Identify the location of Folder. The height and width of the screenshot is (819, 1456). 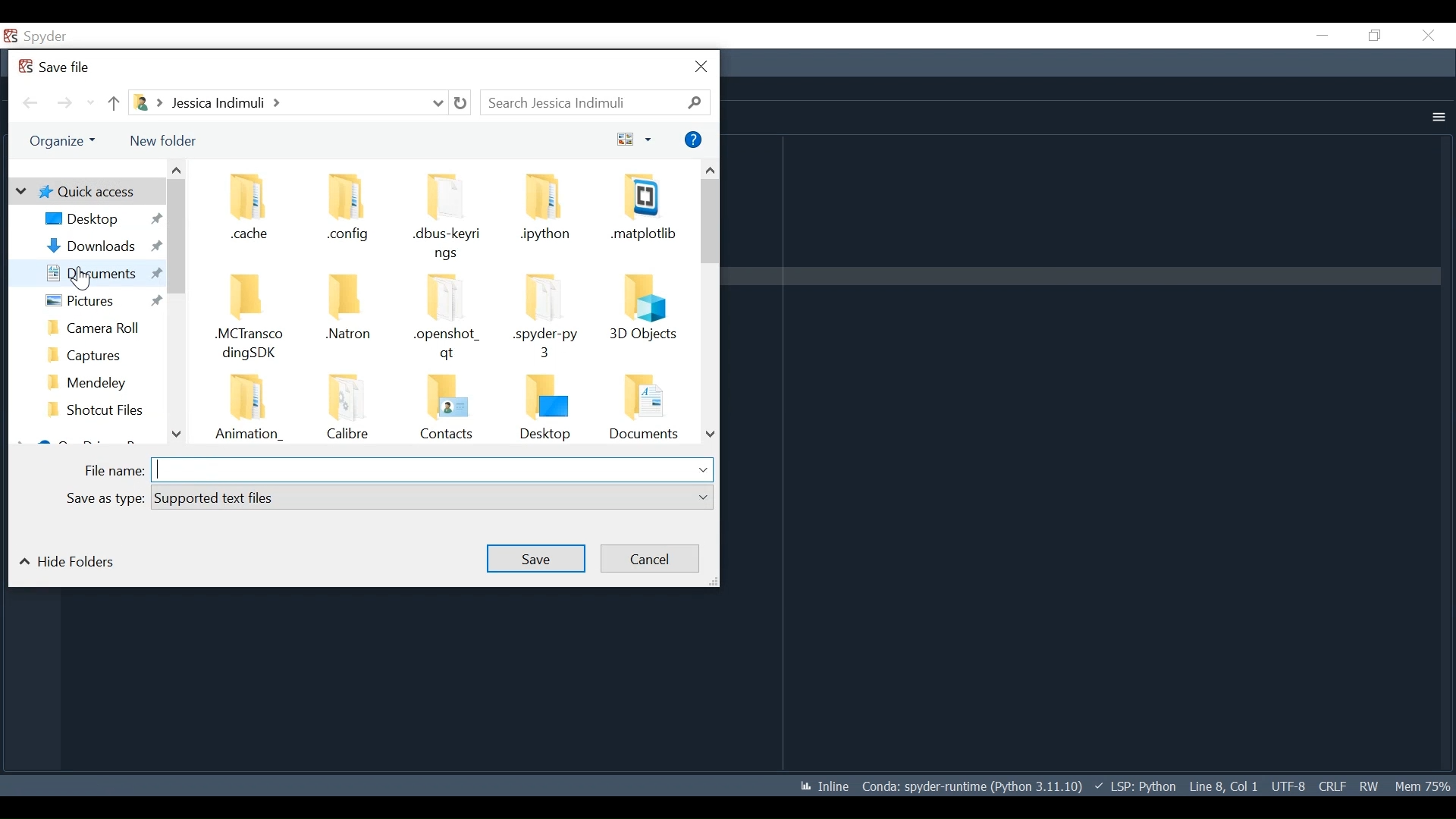
(253, 209).